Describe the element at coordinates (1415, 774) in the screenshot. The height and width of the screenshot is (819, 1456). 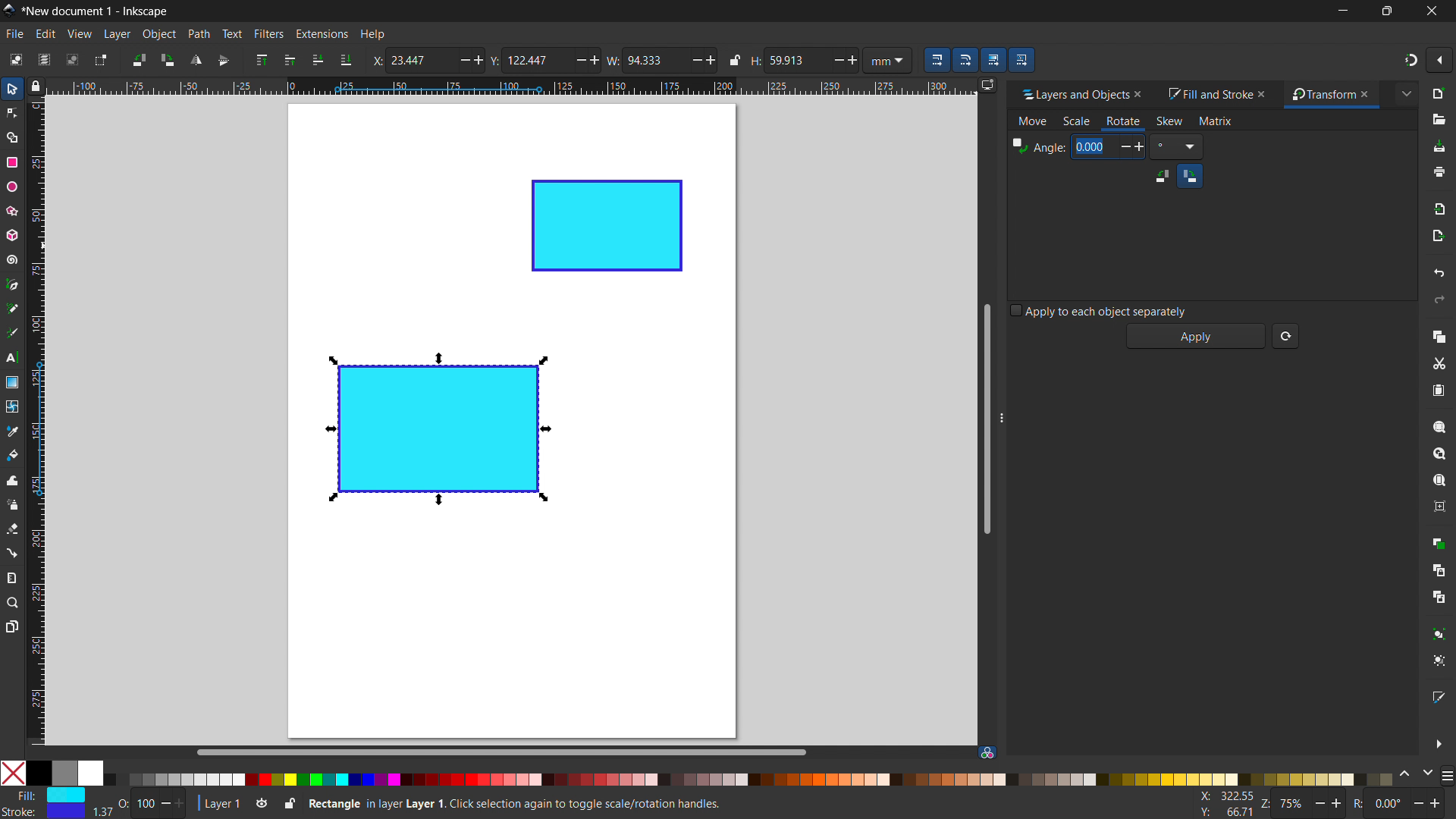
I see `change color schemes` at that location.